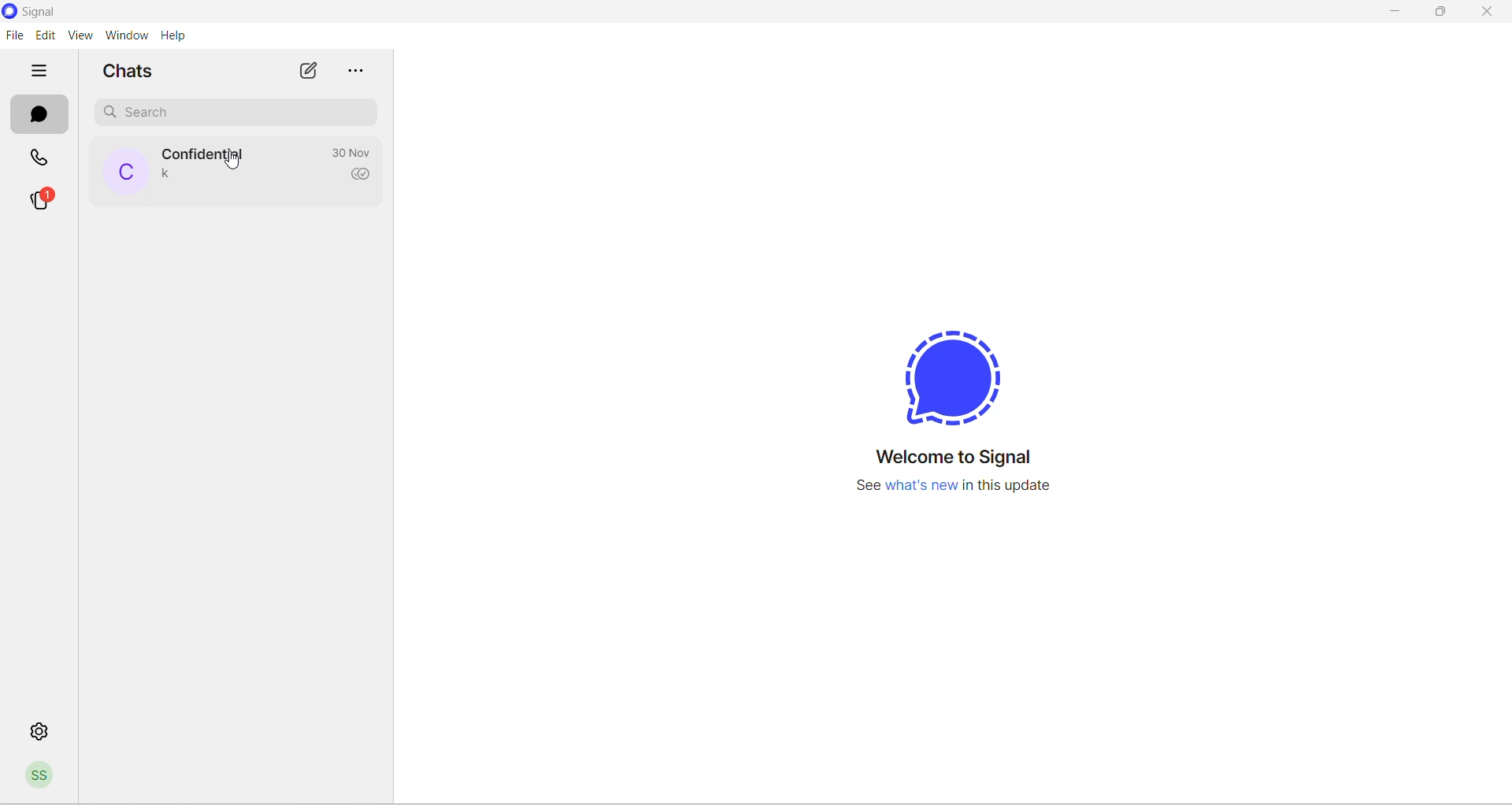  What do you see at coordinates (14, 34) in the screenshot?
I see `file` at bounding box center [14, 34].